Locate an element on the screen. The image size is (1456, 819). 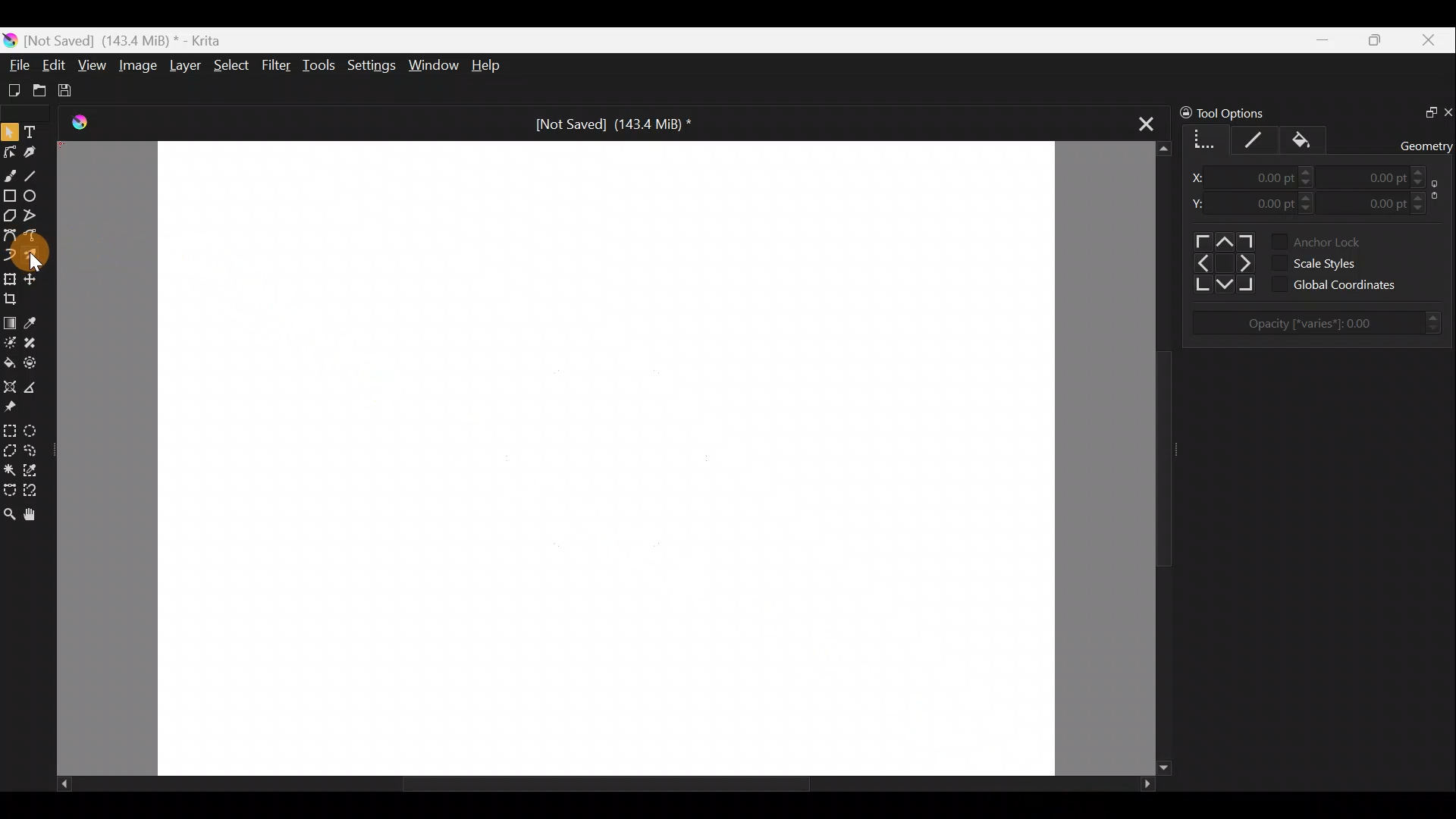
Sample a colour from image/current layer is located at coordinates (36, 322).